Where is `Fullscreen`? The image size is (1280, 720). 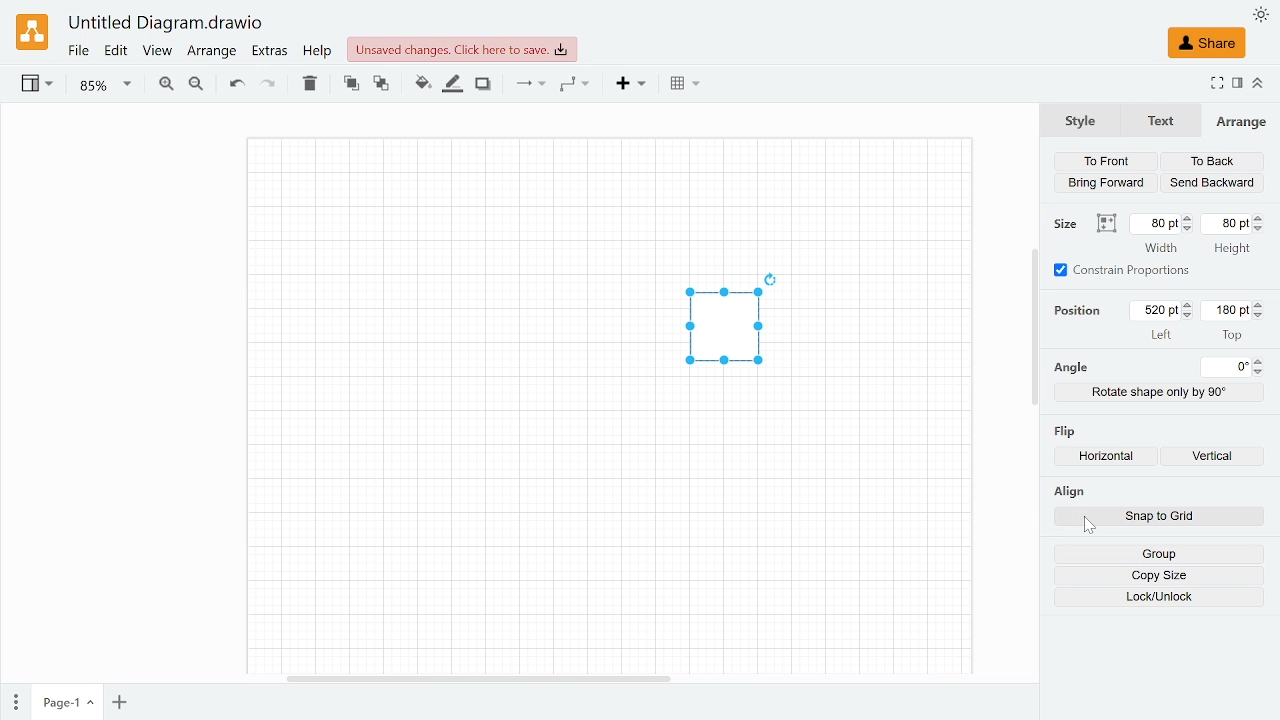
Fullscreen is located at coordinates (1216, 85).